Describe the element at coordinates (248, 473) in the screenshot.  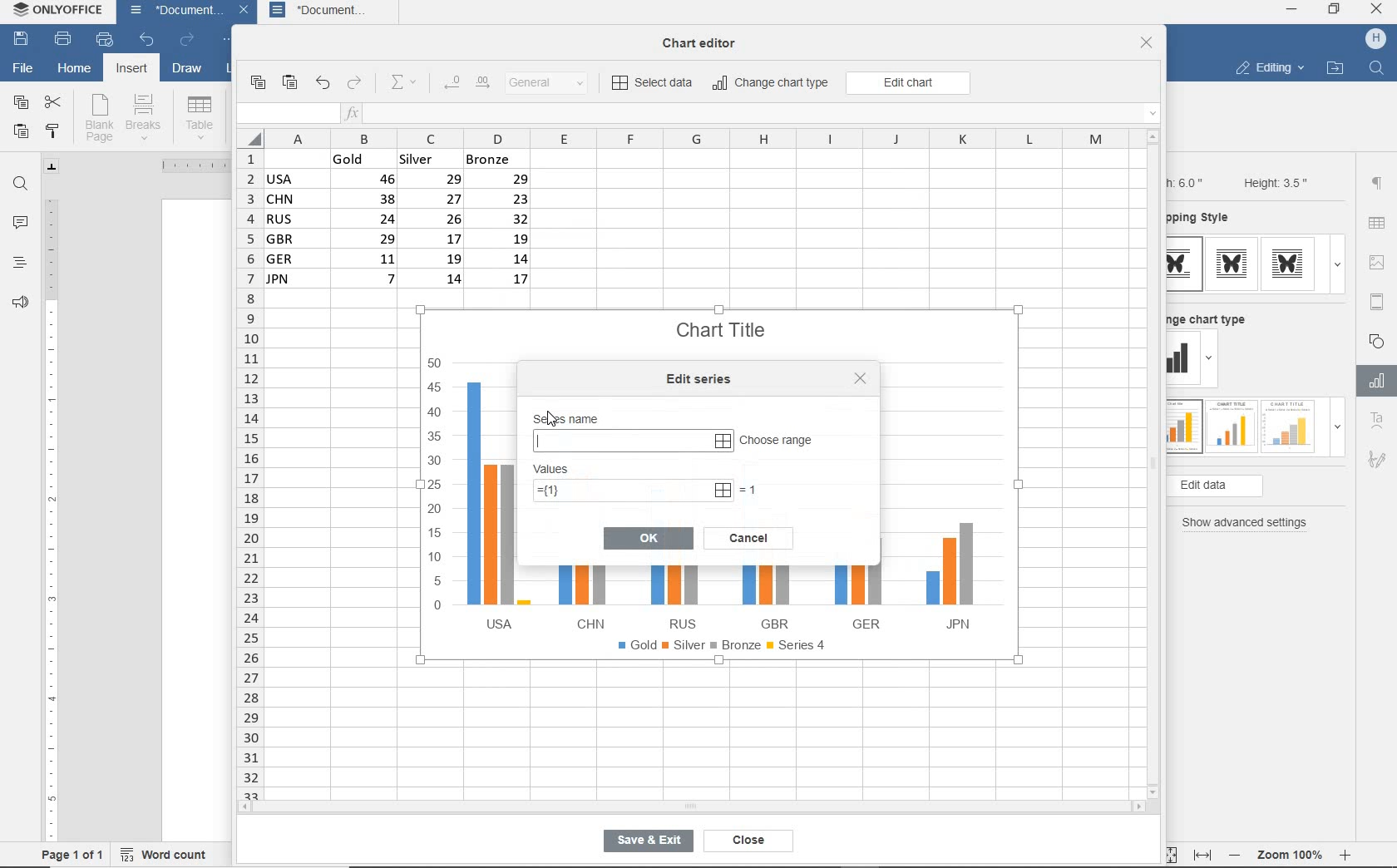
I see `rows` at that location.